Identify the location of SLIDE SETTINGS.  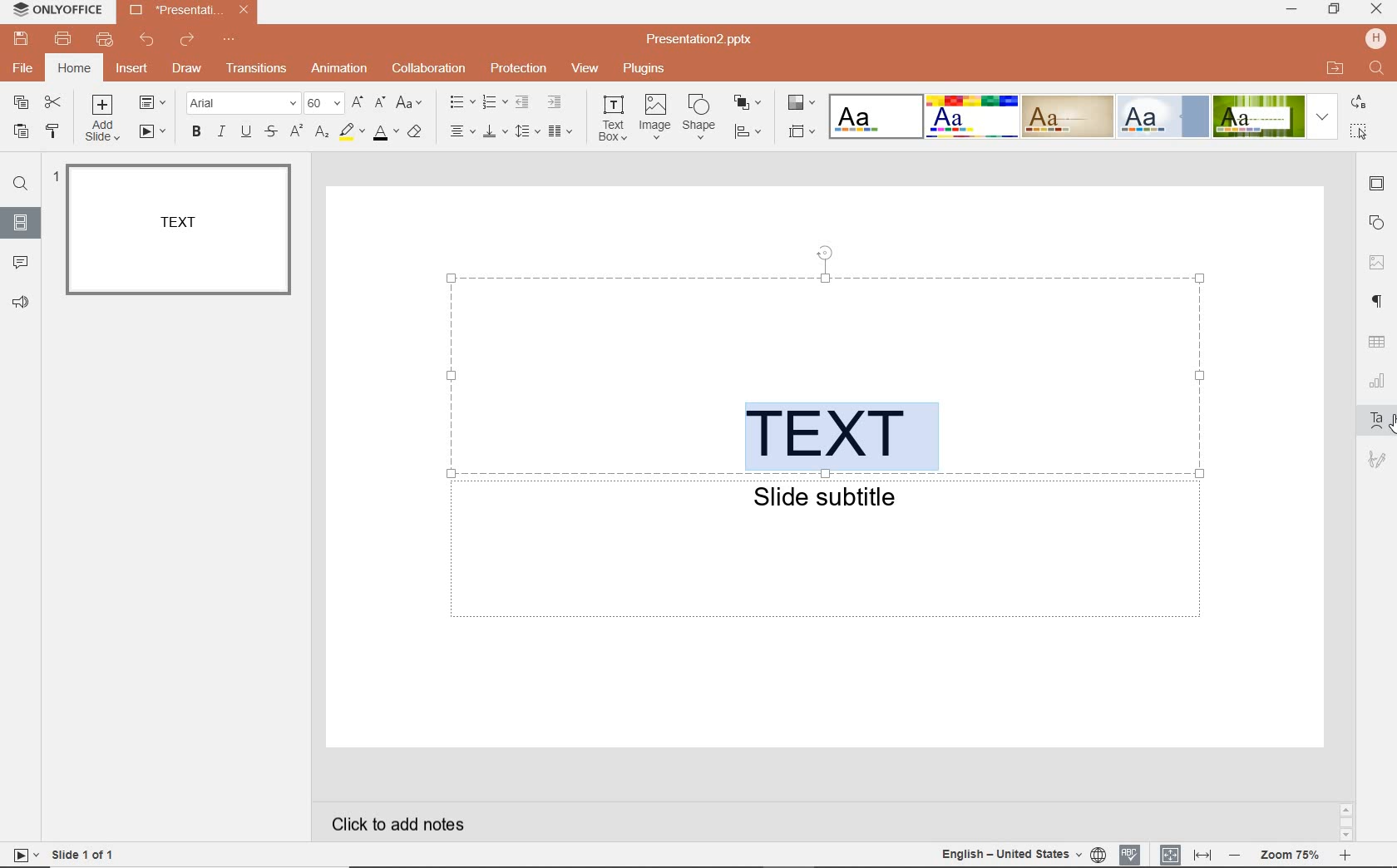
(1379, 184).